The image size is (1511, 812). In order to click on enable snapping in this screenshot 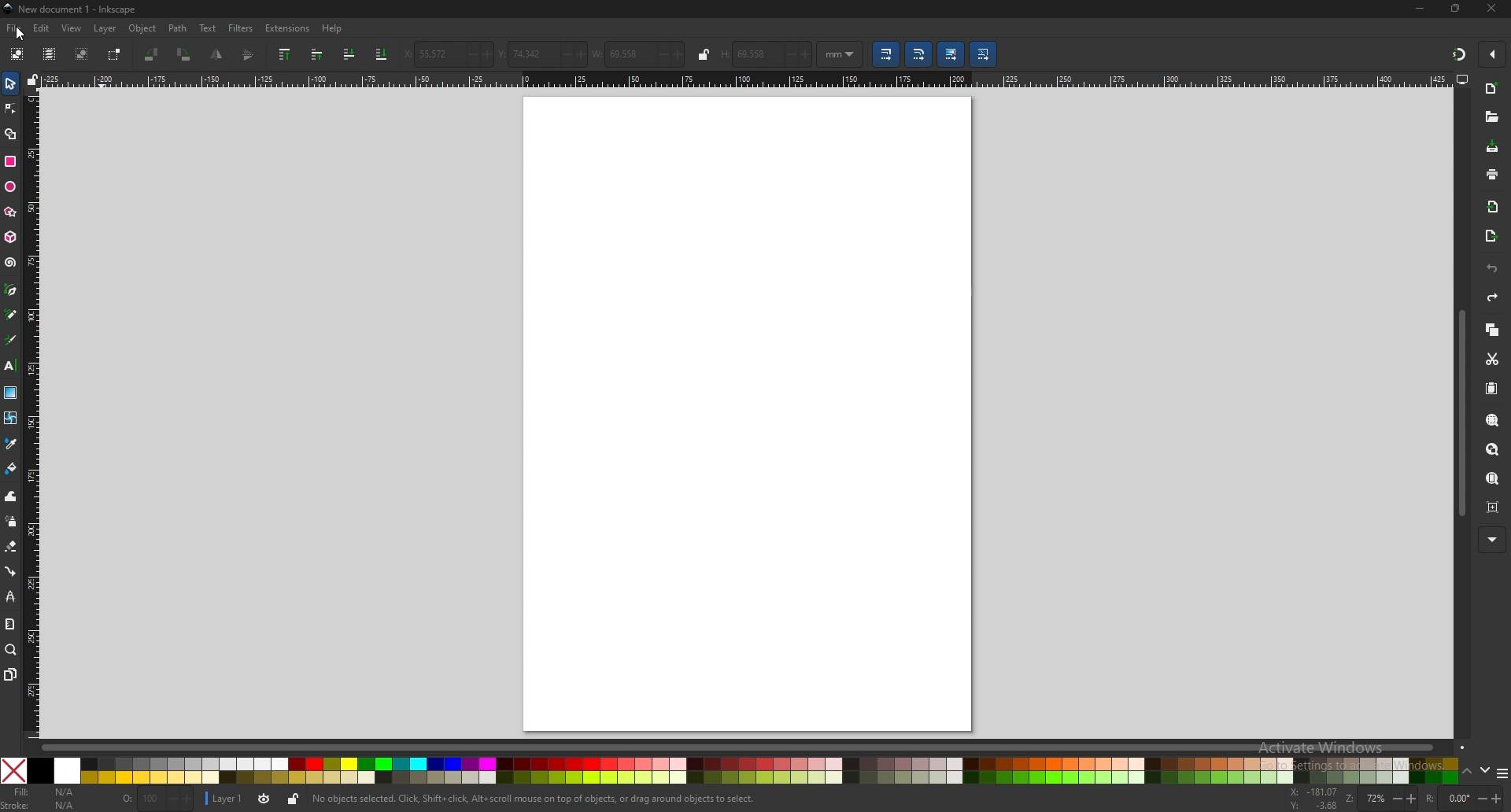, I will do `click(1489, 54)`.